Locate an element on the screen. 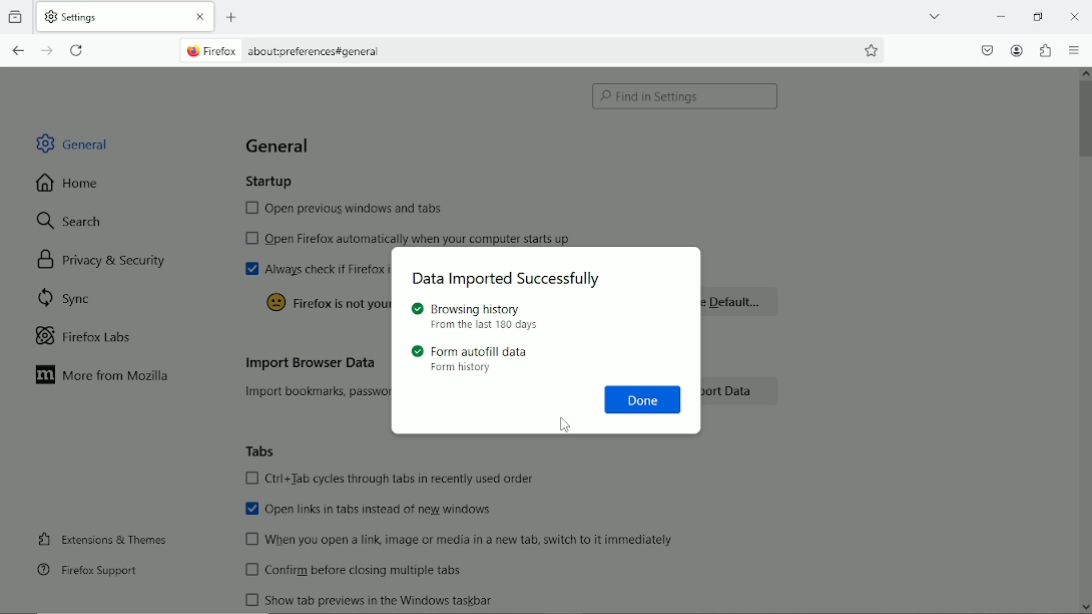 The image size is (1092, 614). Data imported successfully is located at coordinates (514, 280).